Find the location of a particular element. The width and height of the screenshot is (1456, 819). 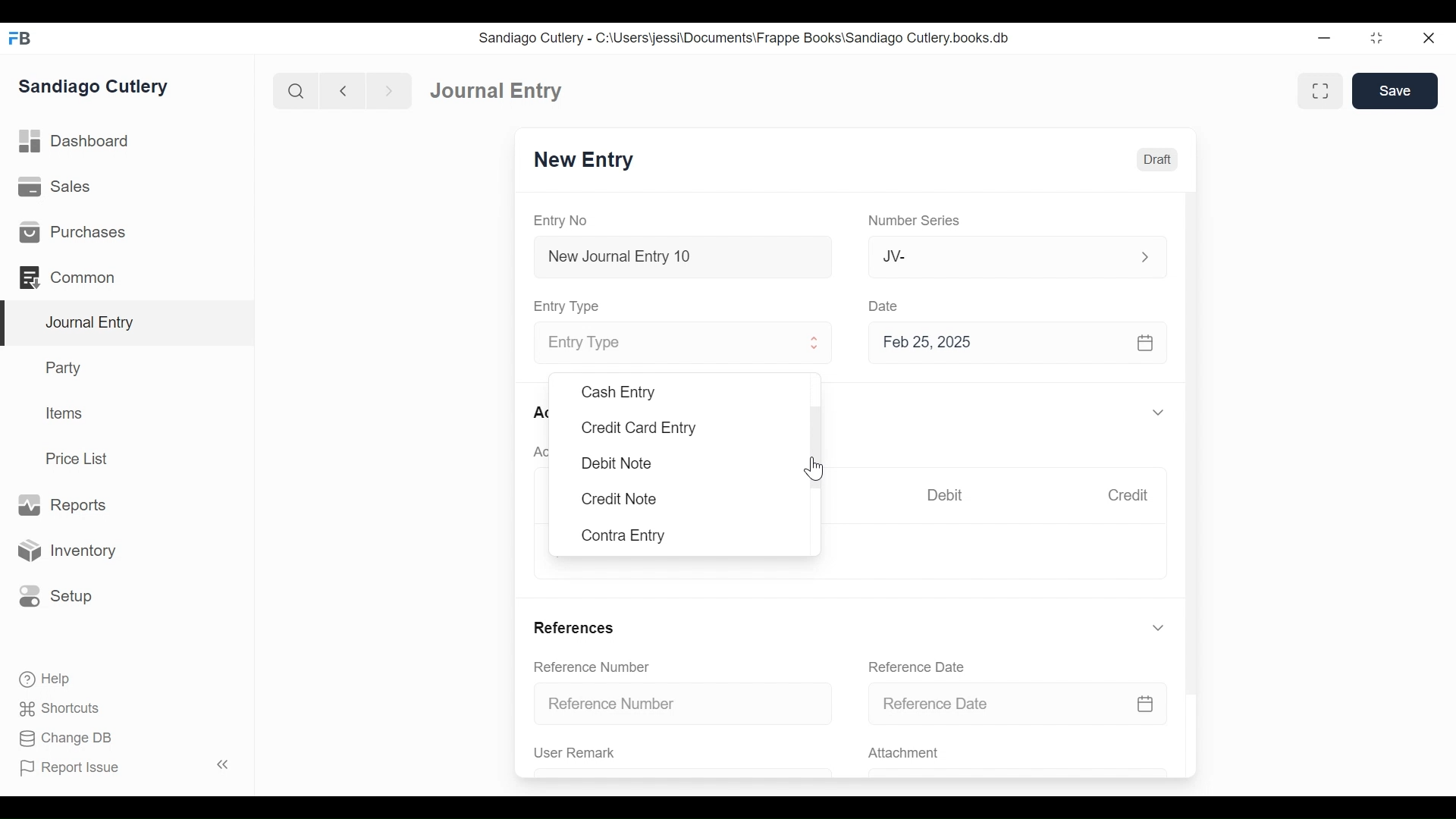

Attachment is located at coordinates (906, 754).